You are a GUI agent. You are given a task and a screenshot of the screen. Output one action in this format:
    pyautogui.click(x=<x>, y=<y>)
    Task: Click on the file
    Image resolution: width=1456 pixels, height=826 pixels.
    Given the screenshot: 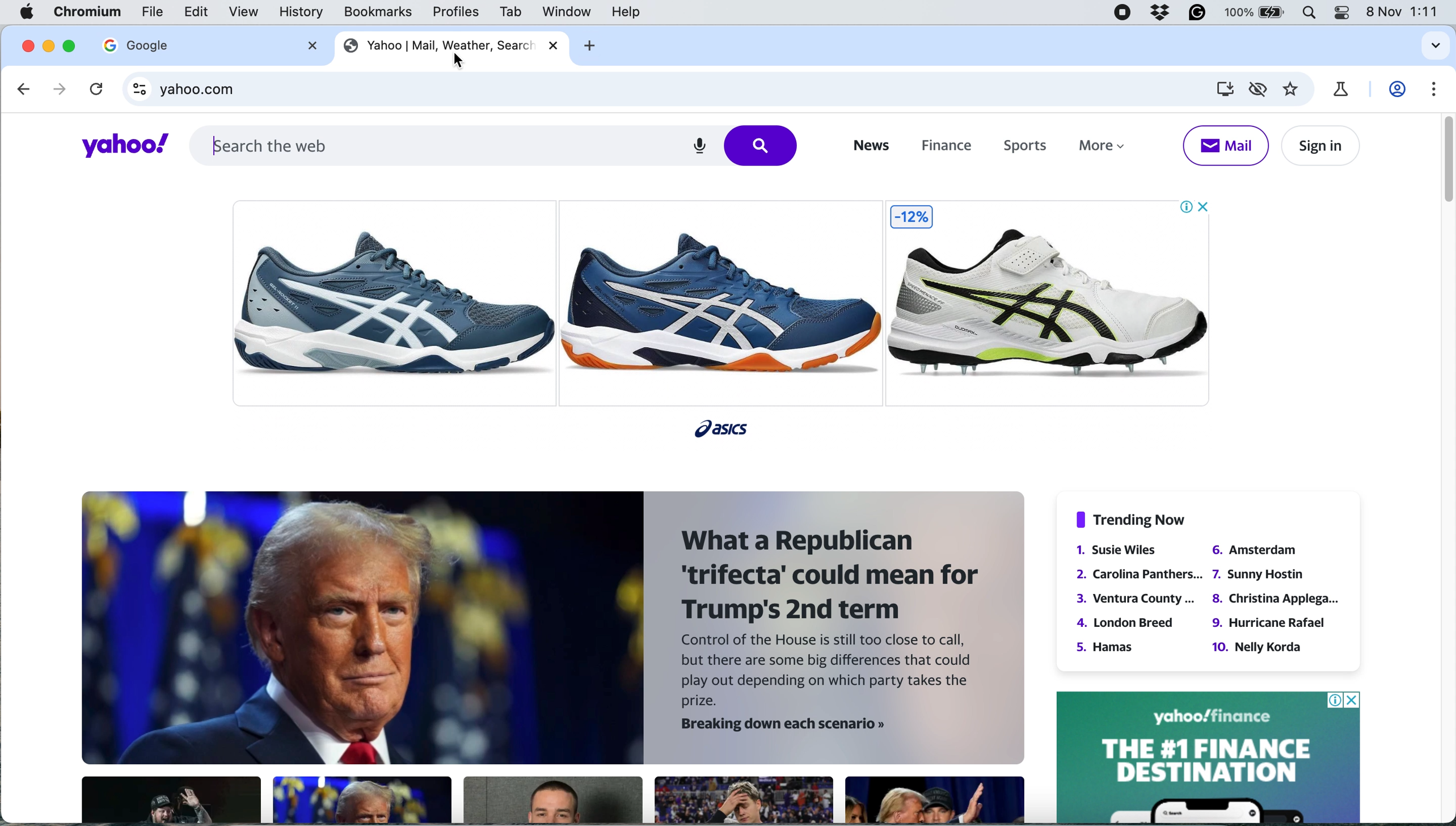 What is the action you would take?
    pyautogui.click(x=153, y=15)
    